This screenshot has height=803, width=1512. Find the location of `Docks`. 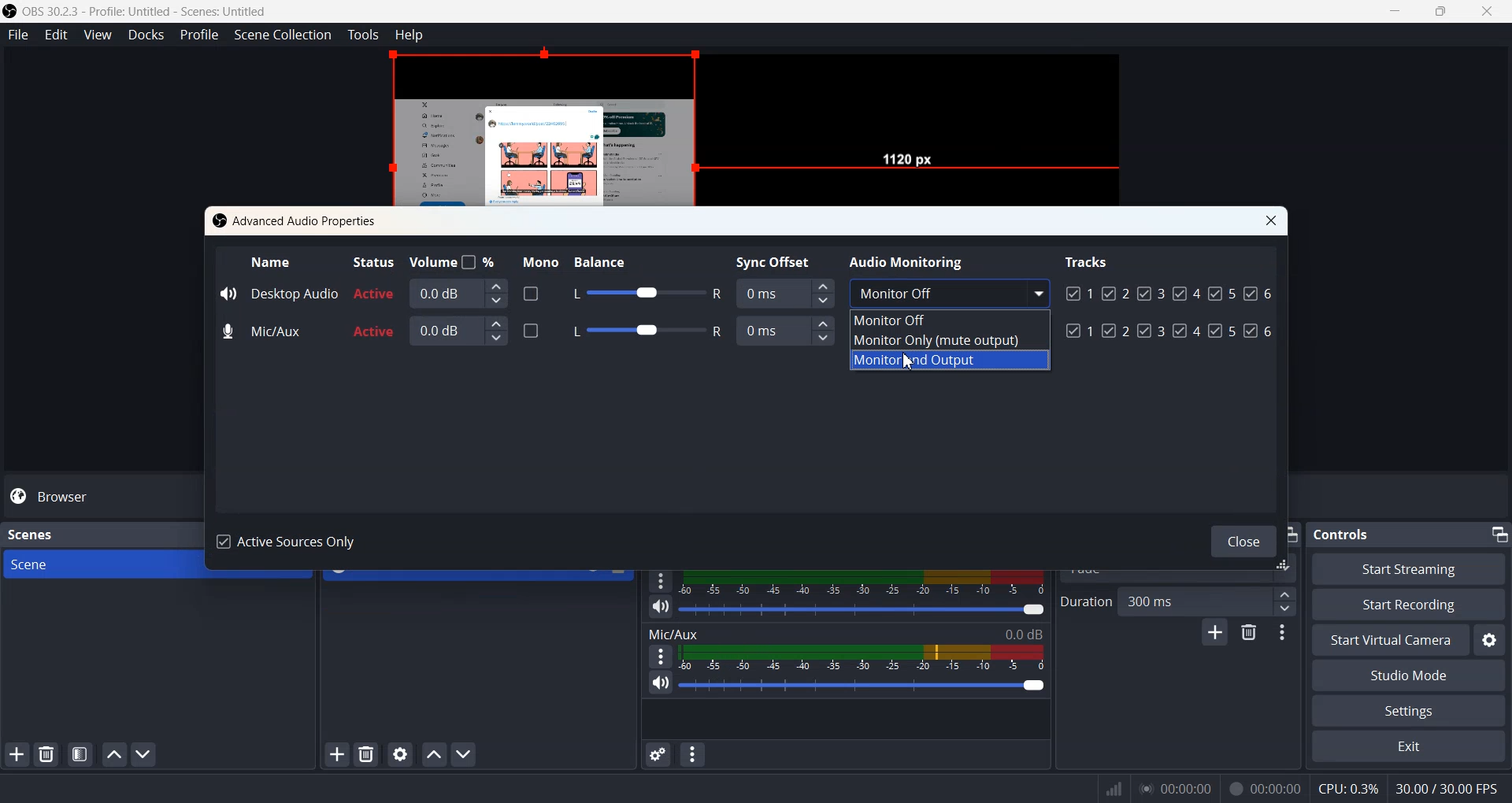

Docks is located at coordinates (146, 35).